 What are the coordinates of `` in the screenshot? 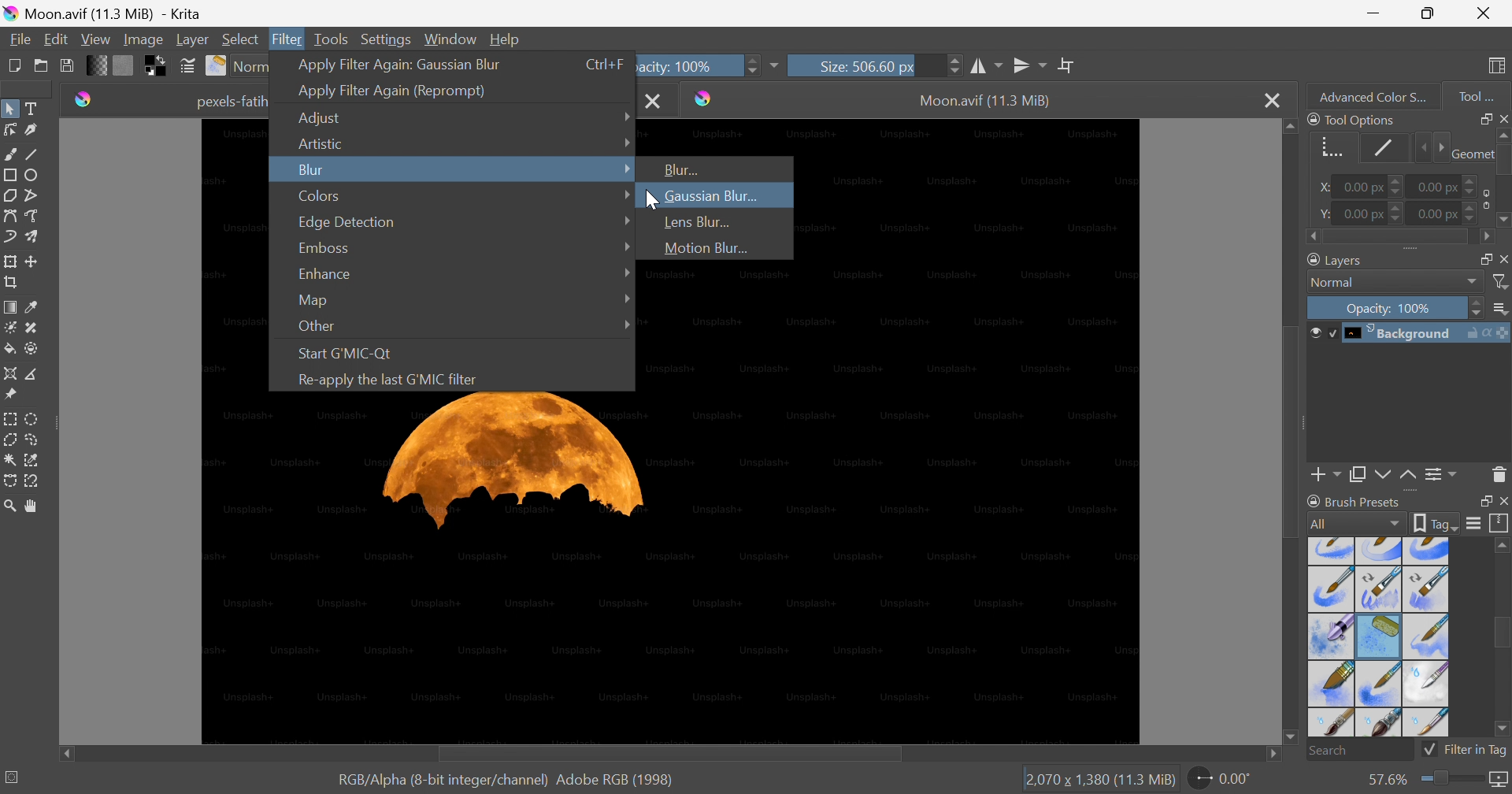 It's located at (1377, 13).